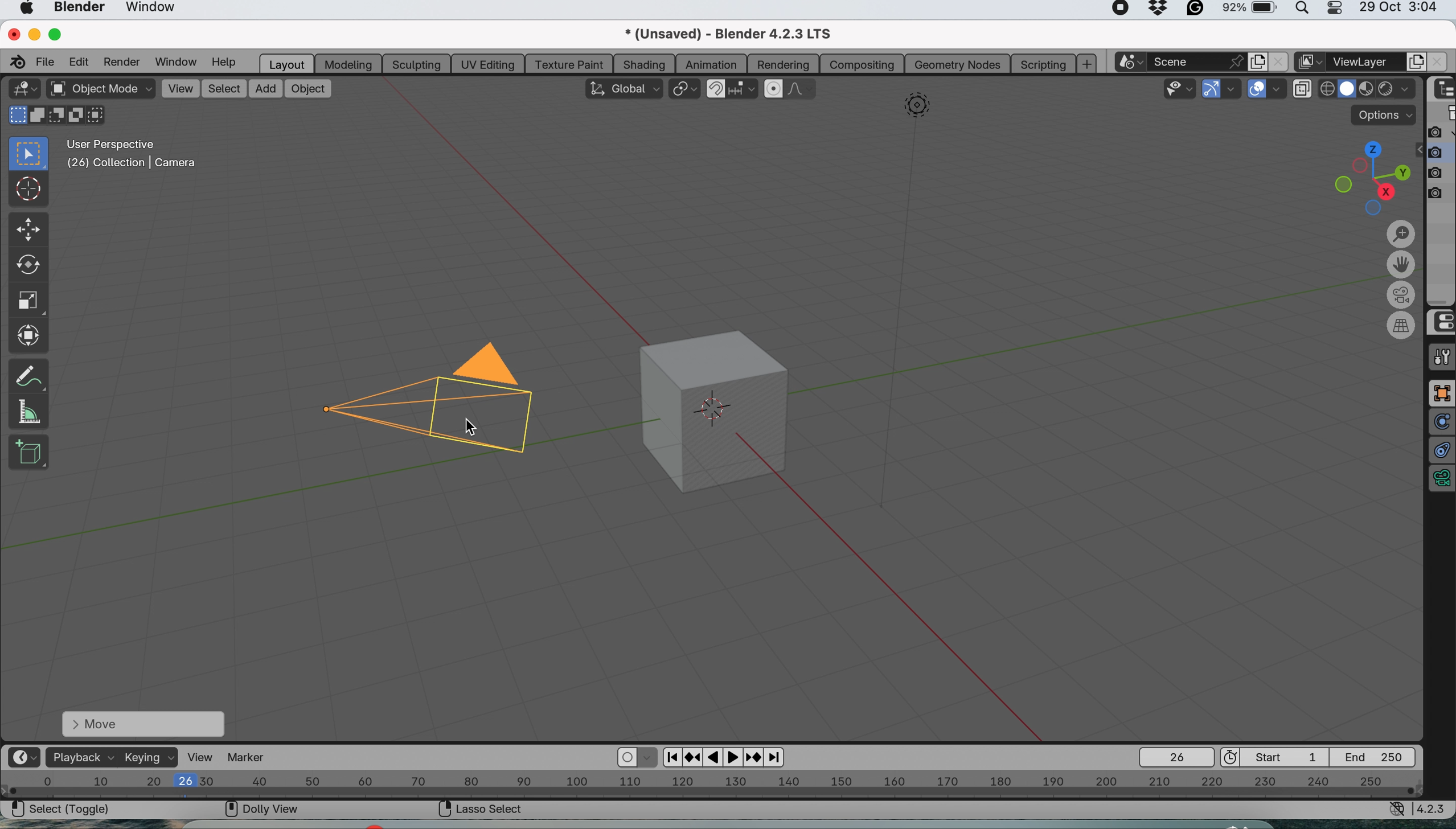 Image resolution: width=1456 pixels, height=829 pixels. I want to click on scale, so click(28, 302).